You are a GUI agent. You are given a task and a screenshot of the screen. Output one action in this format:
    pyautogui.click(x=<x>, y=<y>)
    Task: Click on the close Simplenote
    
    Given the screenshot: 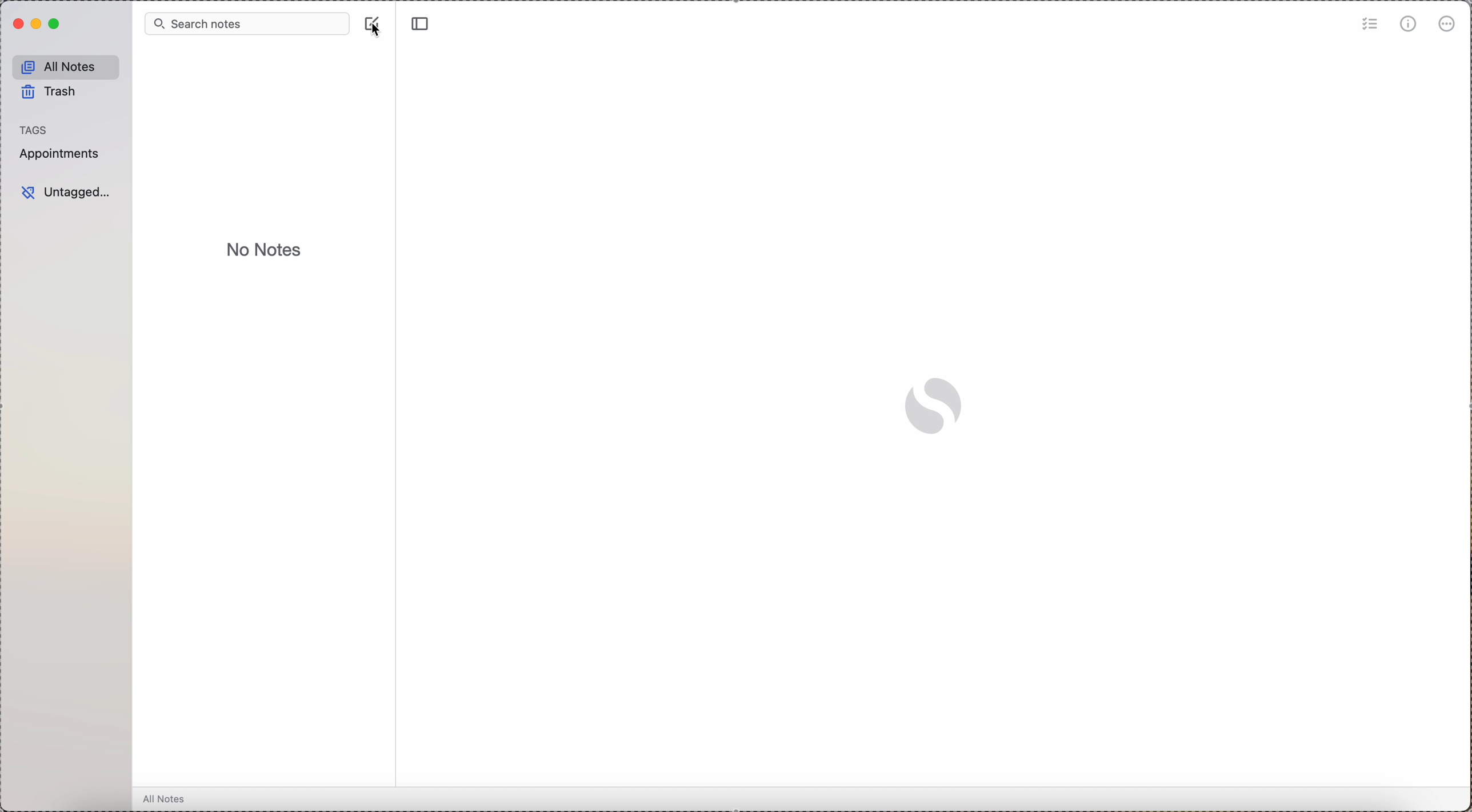 What is the action you would take?
    pyautogui.click(x=18, y=23)
    